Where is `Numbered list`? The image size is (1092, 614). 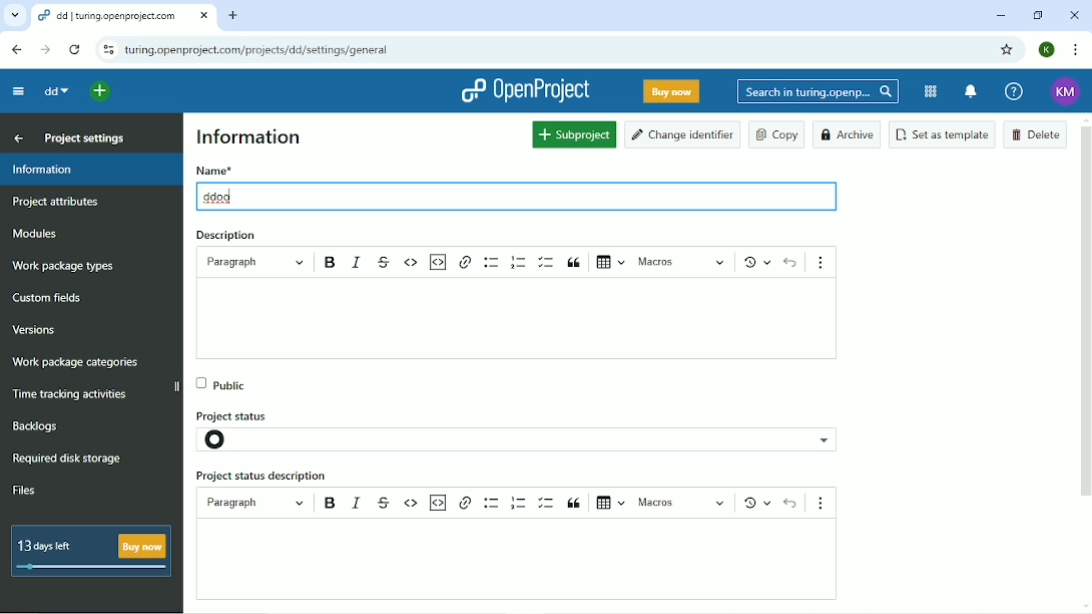 Numbered list is located at coordinates (518, 261).